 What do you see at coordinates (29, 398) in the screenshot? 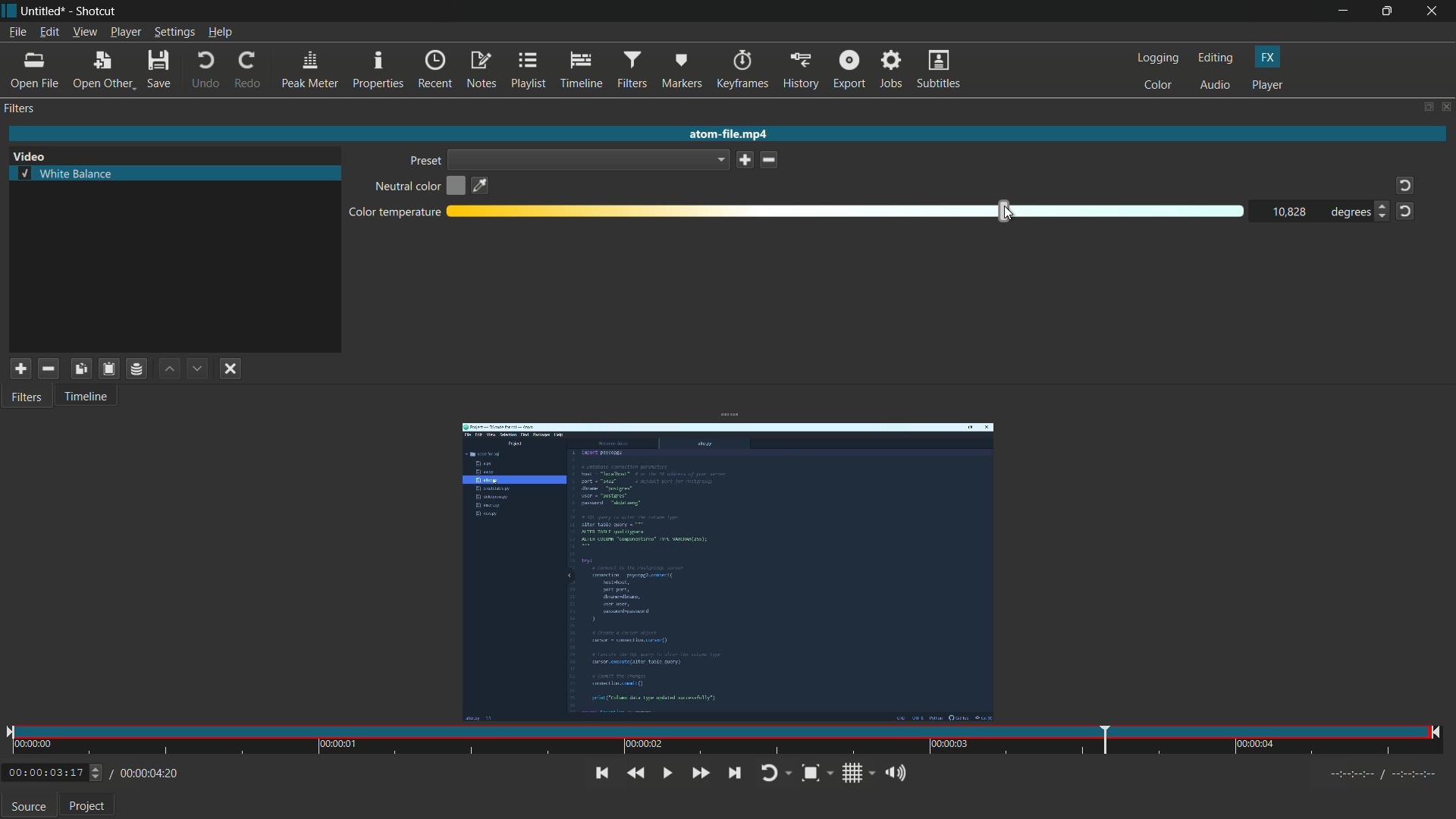
I see `filter tab` at bounding box center [29, 398].